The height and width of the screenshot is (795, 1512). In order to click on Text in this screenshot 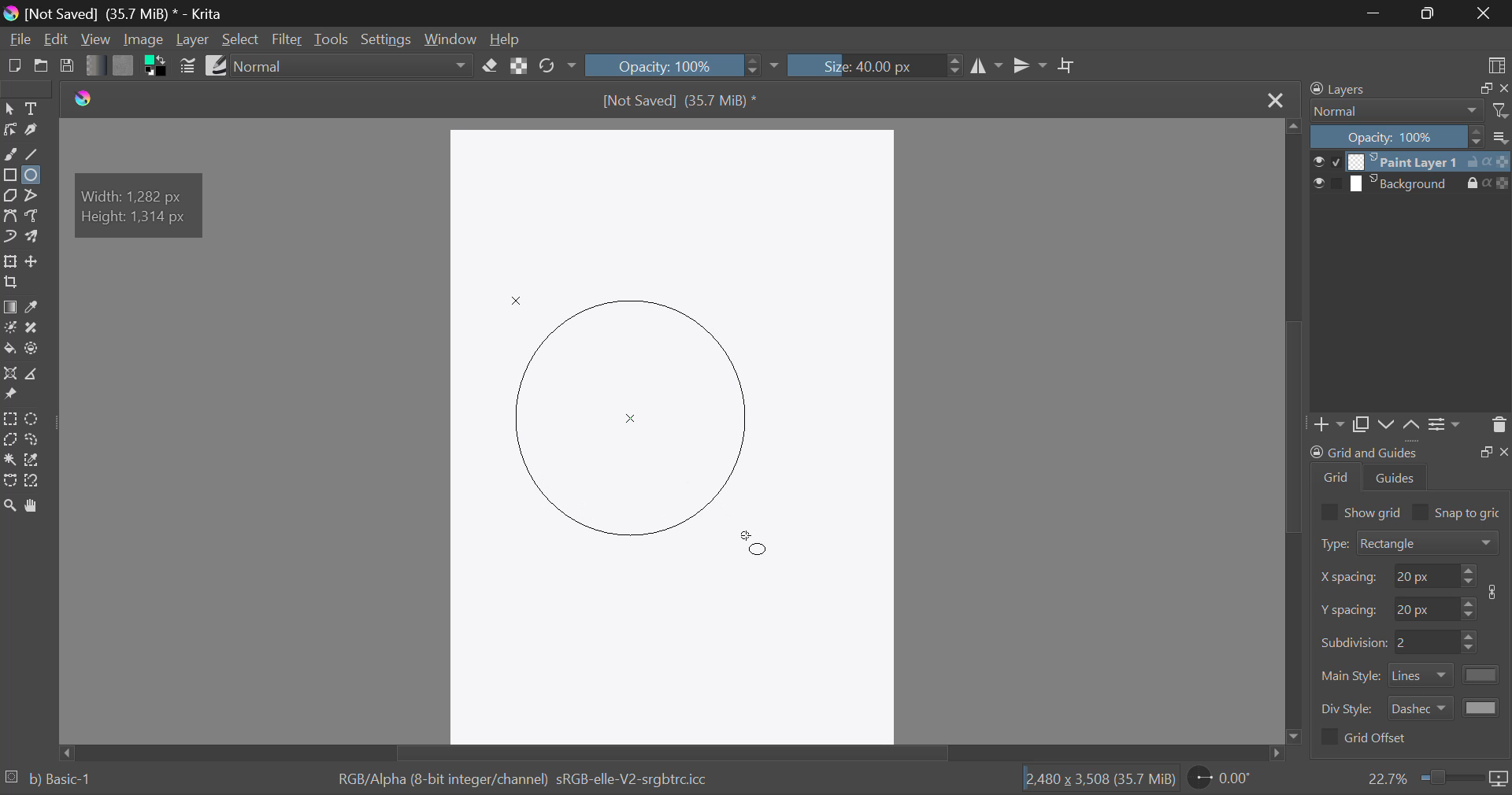, I will do `click(31, 109)`.